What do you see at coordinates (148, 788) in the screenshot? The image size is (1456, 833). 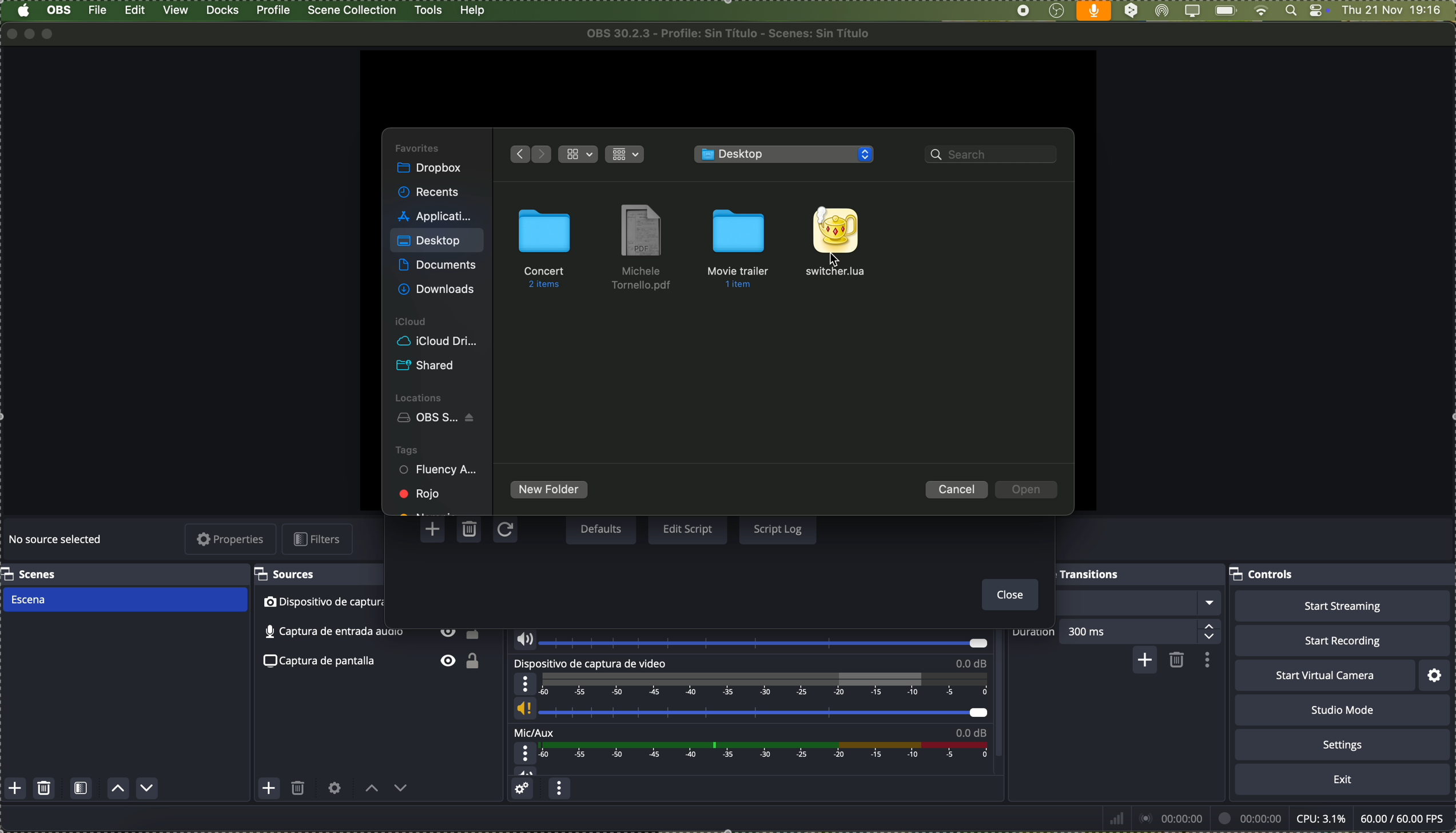 I see `move scene down` at bounding box center [148, 788].